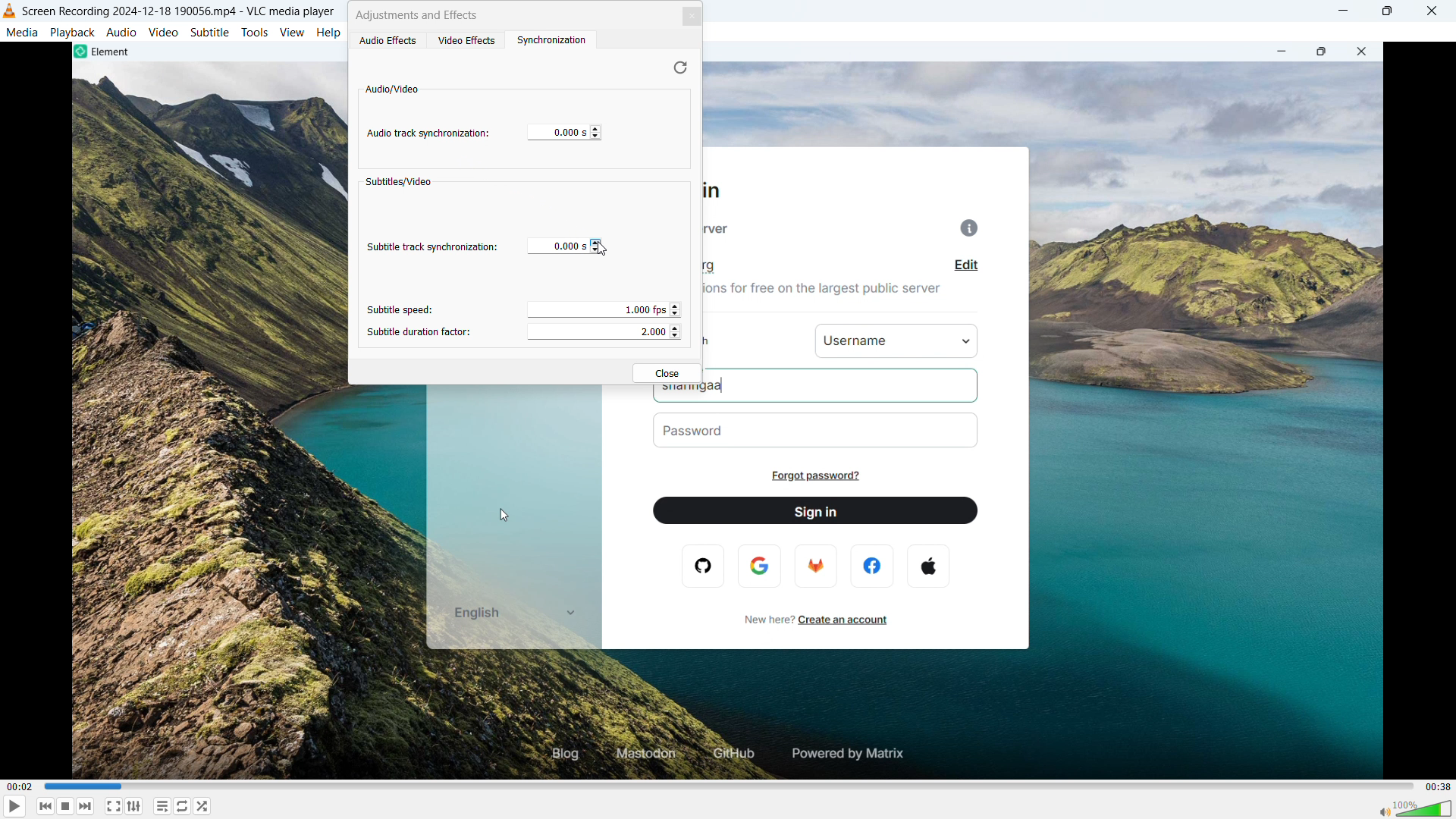 This screenshot has height=819, width=1456. I want to click on audio/video, so click(393, 89).